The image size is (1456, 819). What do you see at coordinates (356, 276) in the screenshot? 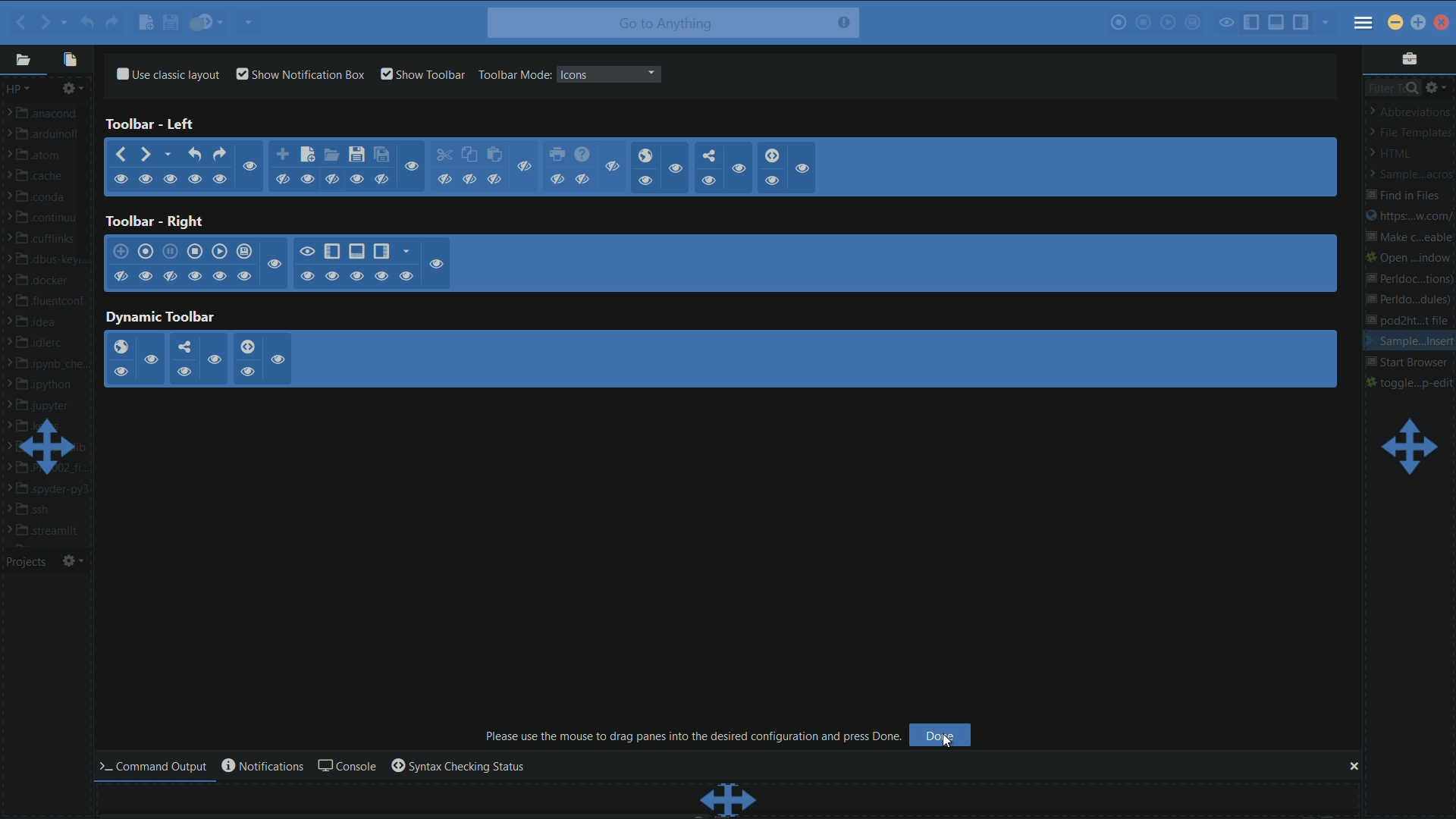
I see `hide/show` at bounding box center [356, 276].